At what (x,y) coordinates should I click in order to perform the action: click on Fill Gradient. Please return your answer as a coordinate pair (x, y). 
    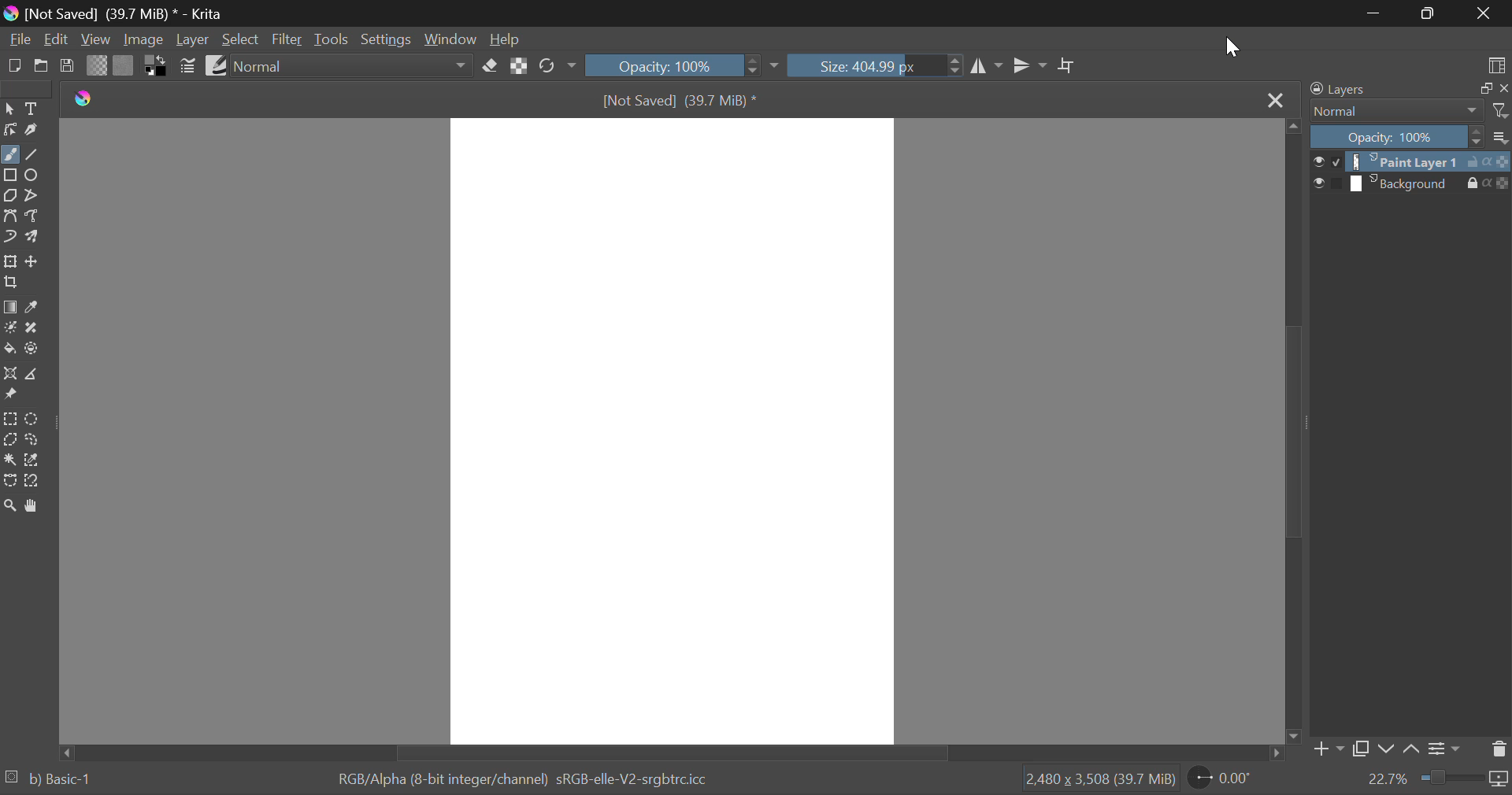
    Looking at the image, I should click on (9, 307).